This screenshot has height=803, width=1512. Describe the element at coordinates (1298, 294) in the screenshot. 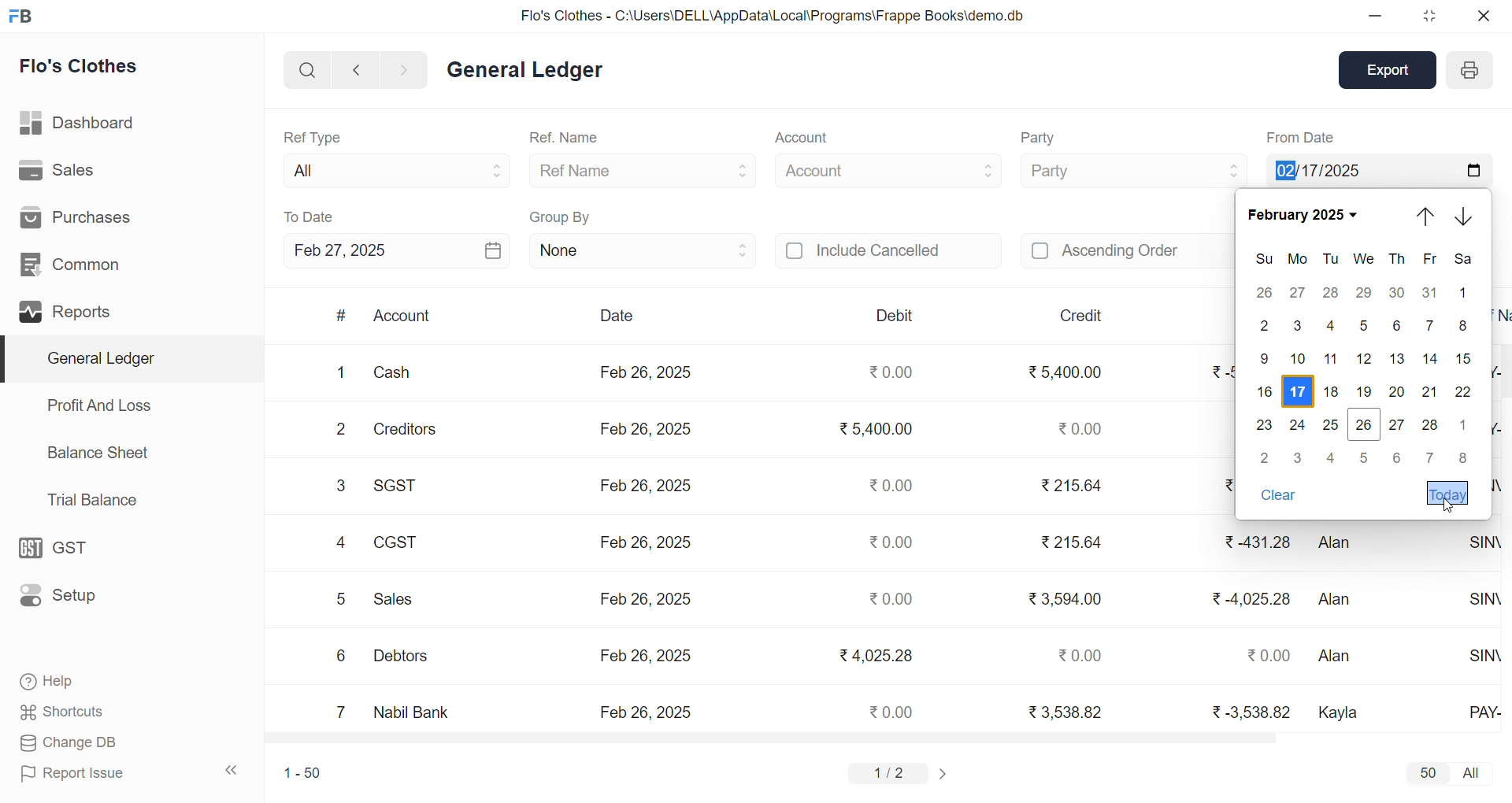

I see `27` at that location.